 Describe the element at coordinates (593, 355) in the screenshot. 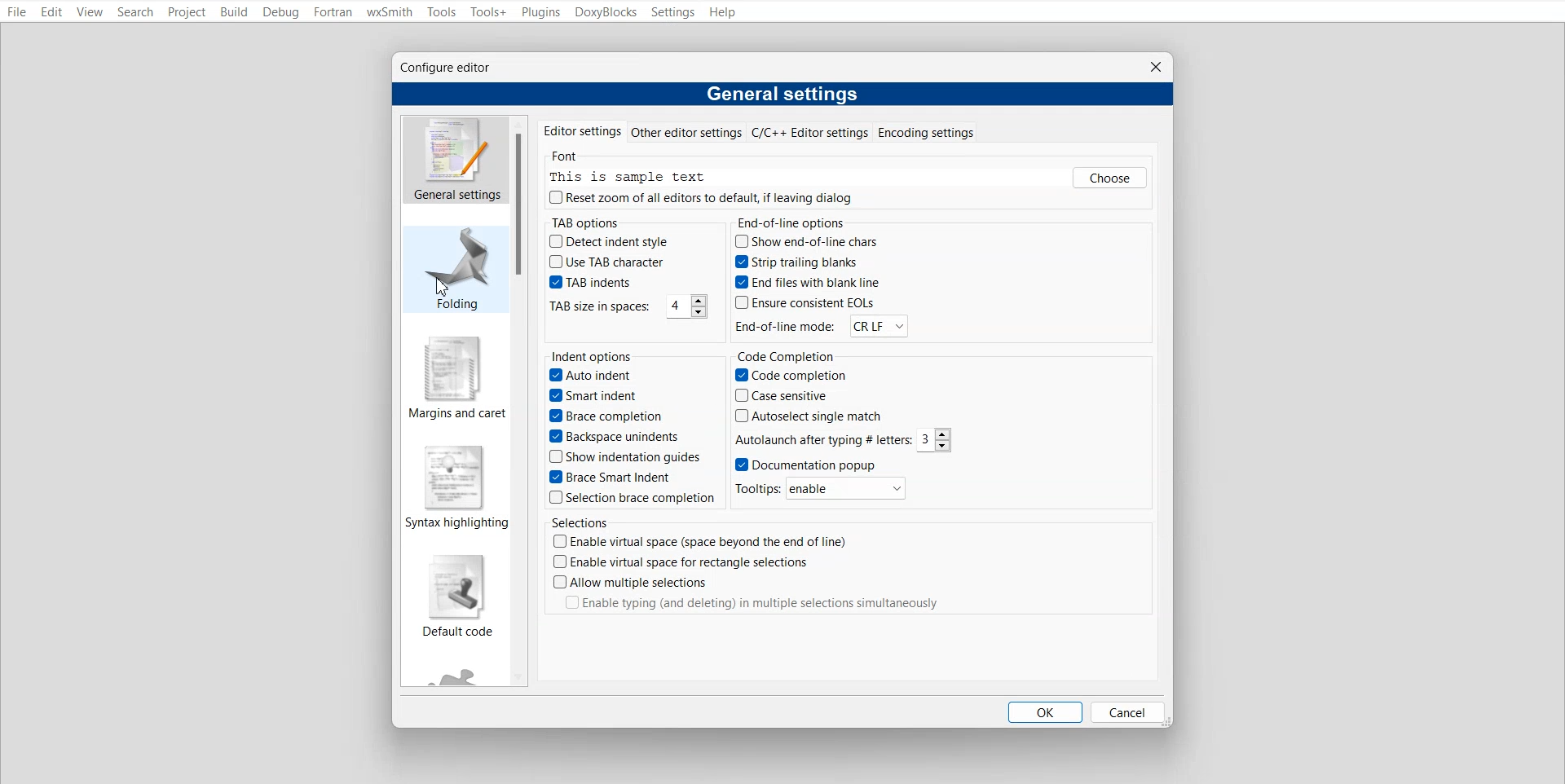

I see `Indent options` at that location.